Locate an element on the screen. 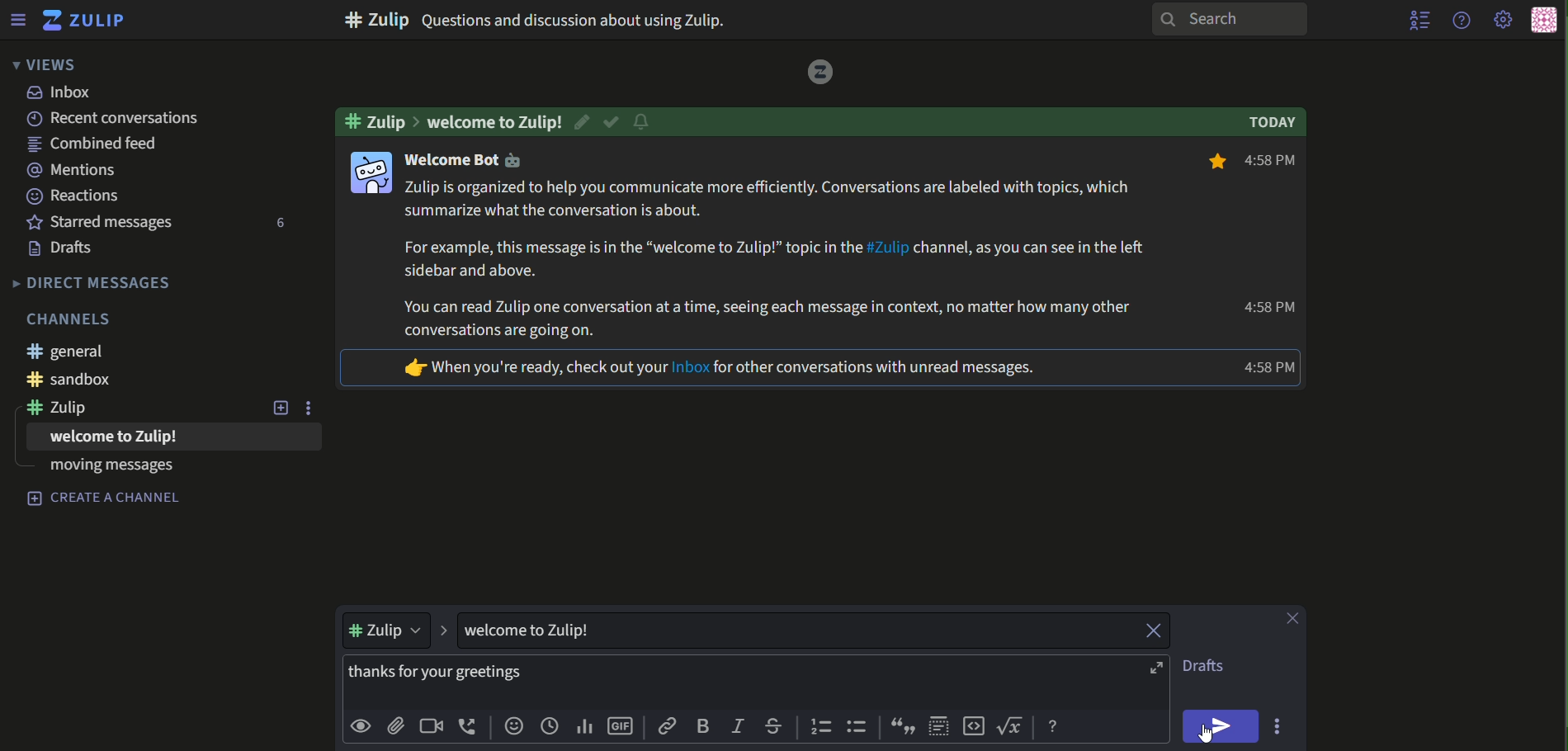 The image size is (1568, 751). math is located at coordinates (1013, 727).